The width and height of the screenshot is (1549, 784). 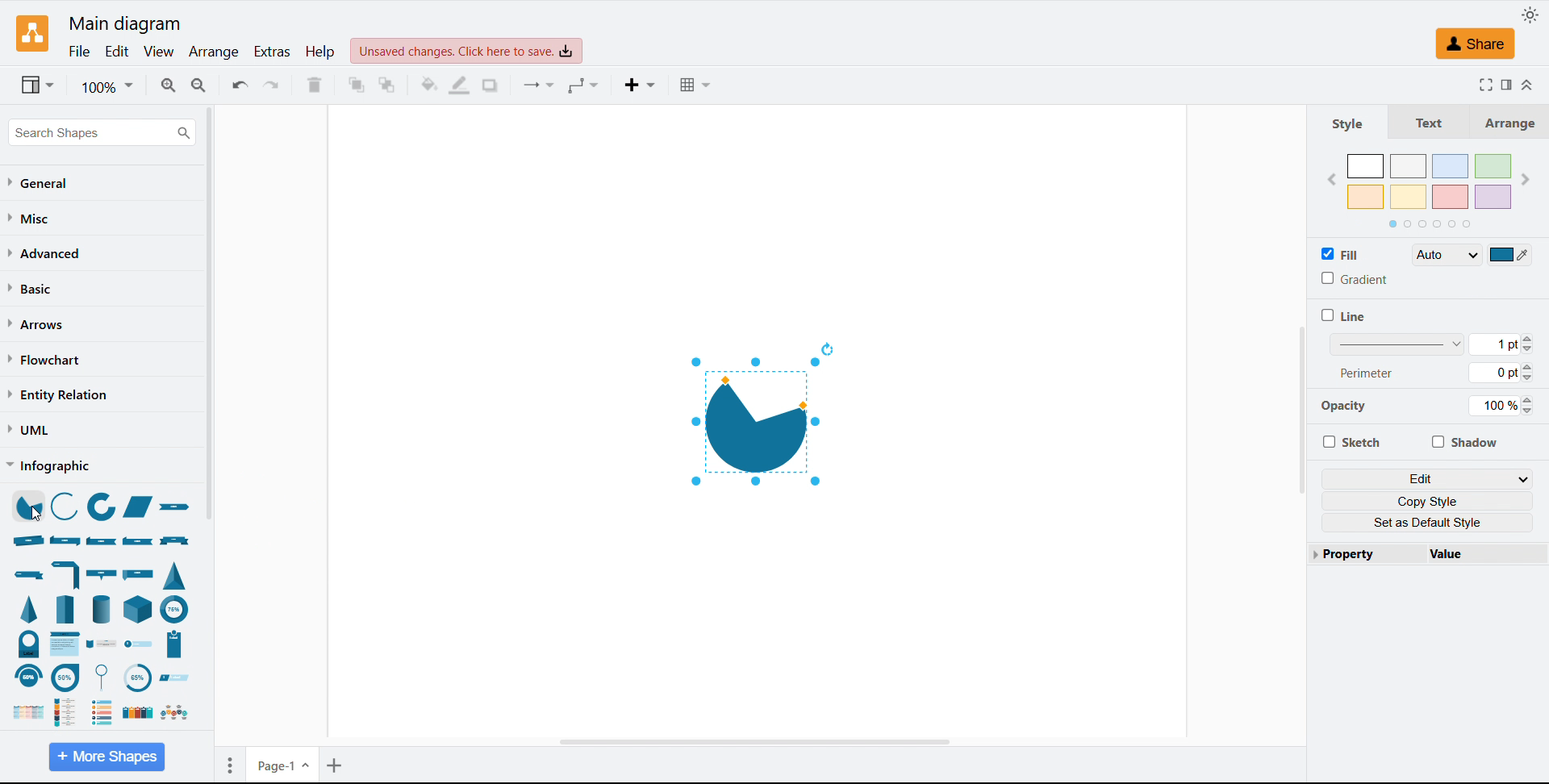 What do you see at coordinates (115, 52) in the screenshot?
I see `Edit ` at bounding box center [115, 52].